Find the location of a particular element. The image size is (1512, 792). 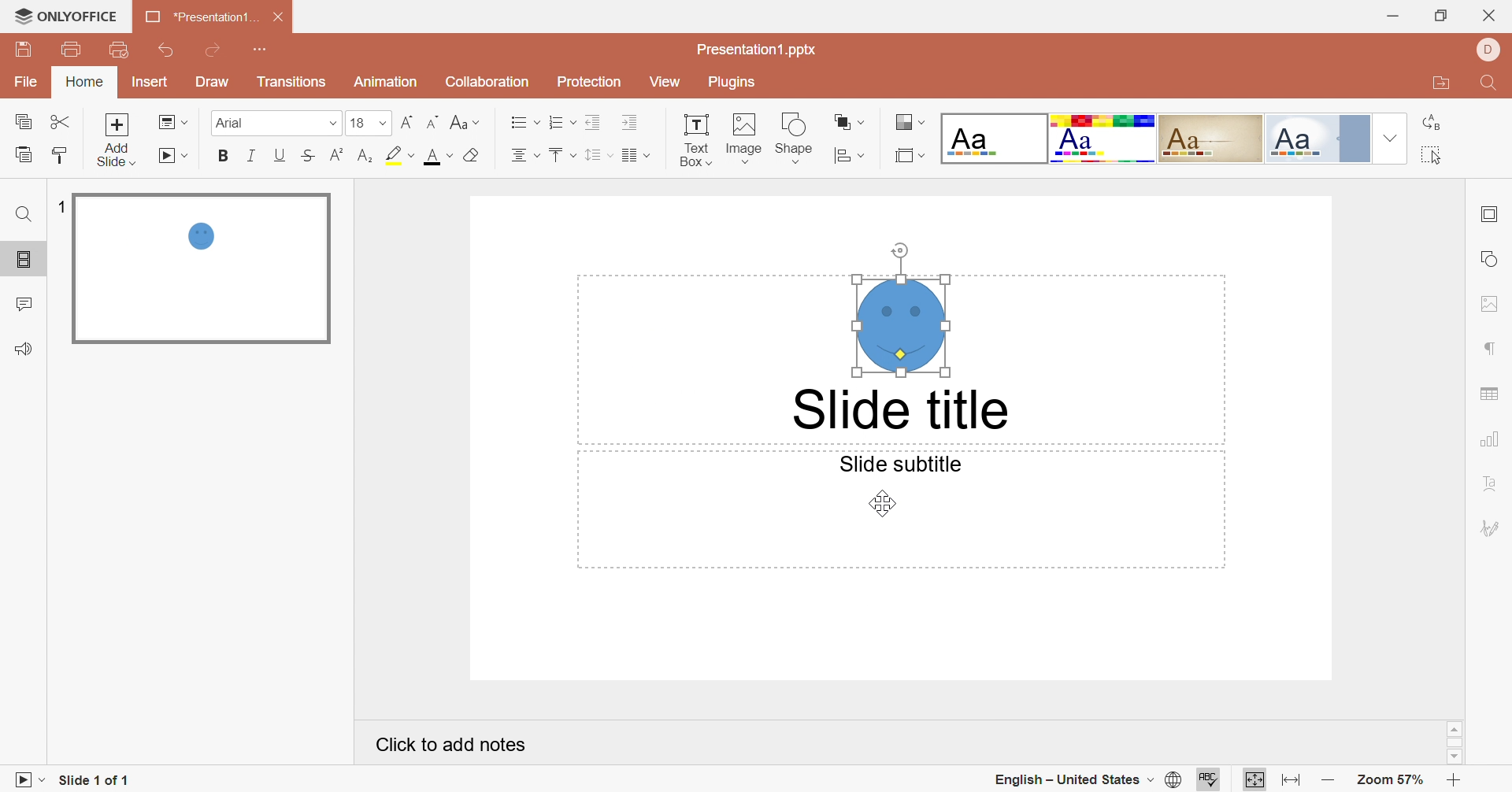

Slide 1 preview showing centered object is located at coordinates (200, 266).